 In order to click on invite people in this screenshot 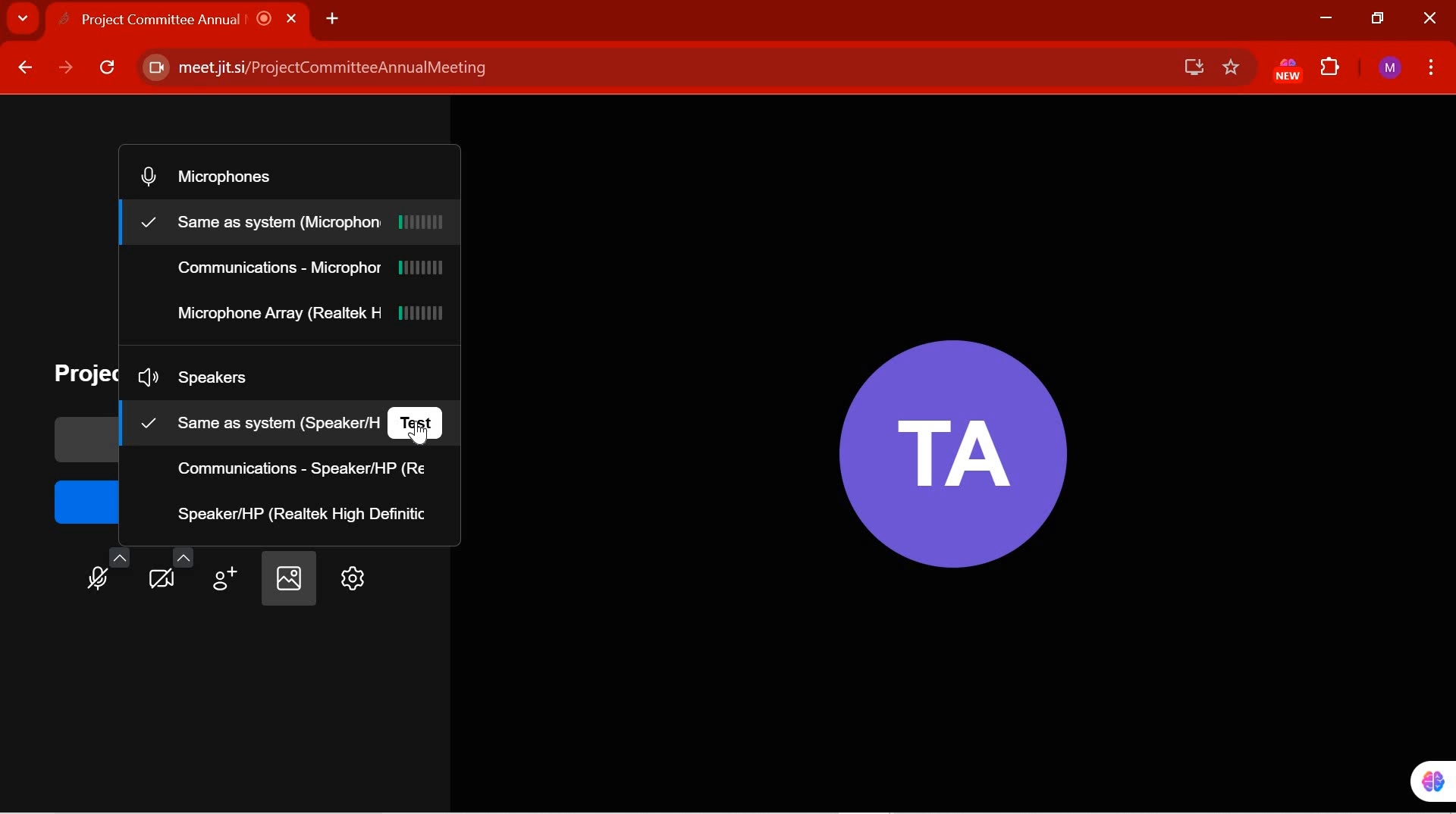, I will do `click(227, 573)`.